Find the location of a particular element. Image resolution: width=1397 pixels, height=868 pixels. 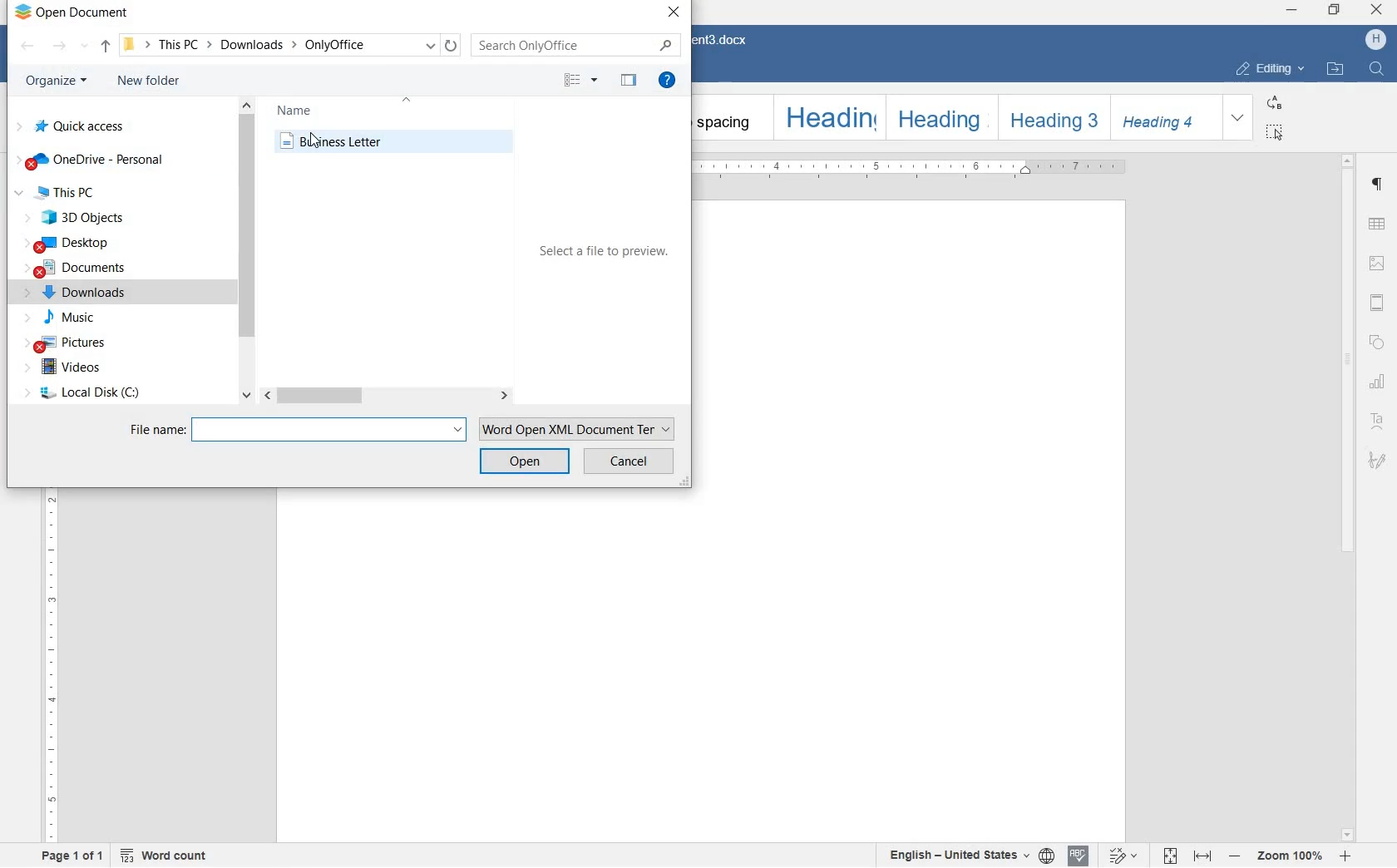

new folder is located at coordinates (147, 82).